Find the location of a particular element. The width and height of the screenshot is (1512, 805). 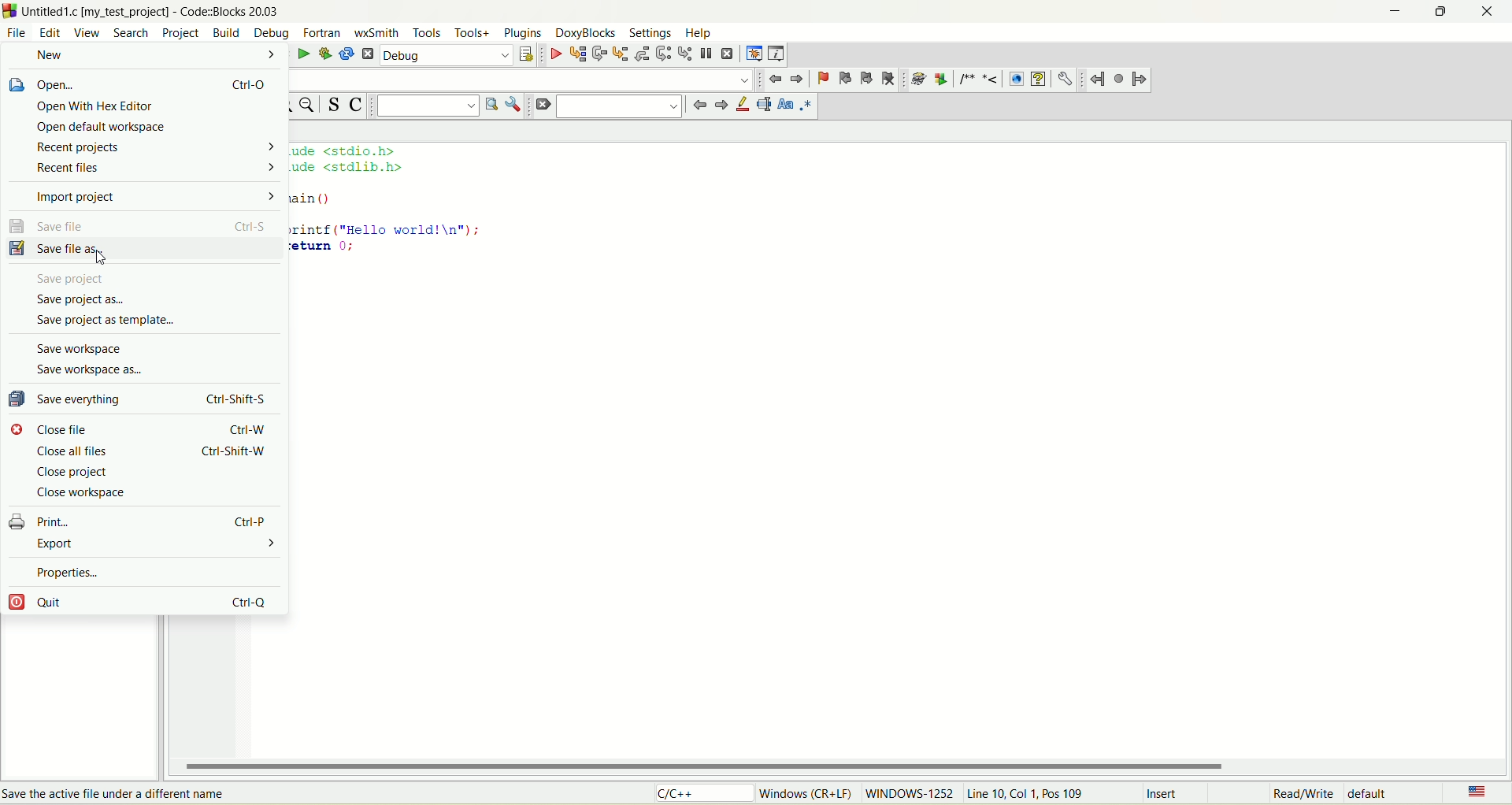

plugins is located at coordinates (523, 33).